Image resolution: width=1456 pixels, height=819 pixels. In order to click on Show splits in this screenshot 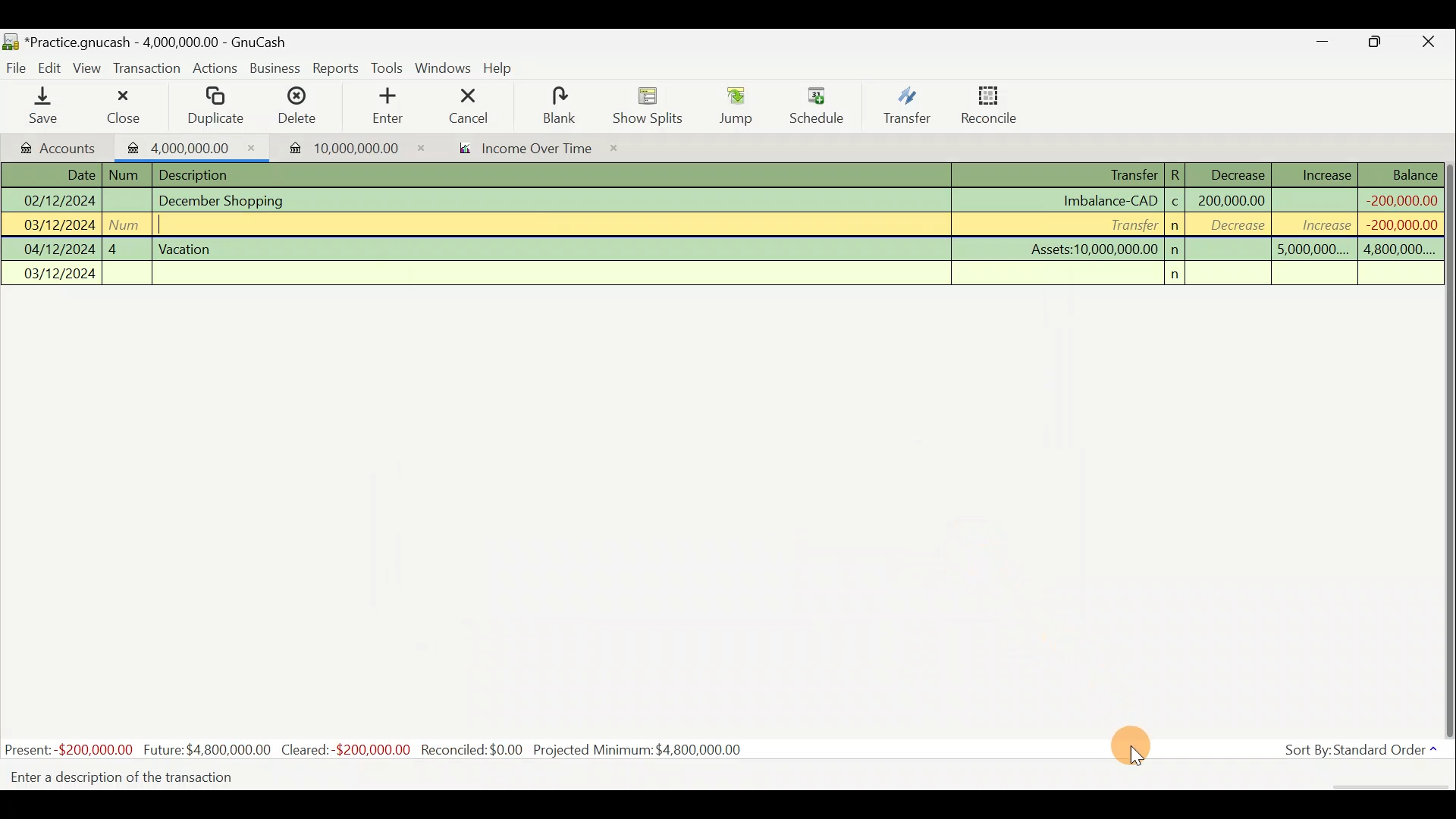, I will do `click(649, 105)`.